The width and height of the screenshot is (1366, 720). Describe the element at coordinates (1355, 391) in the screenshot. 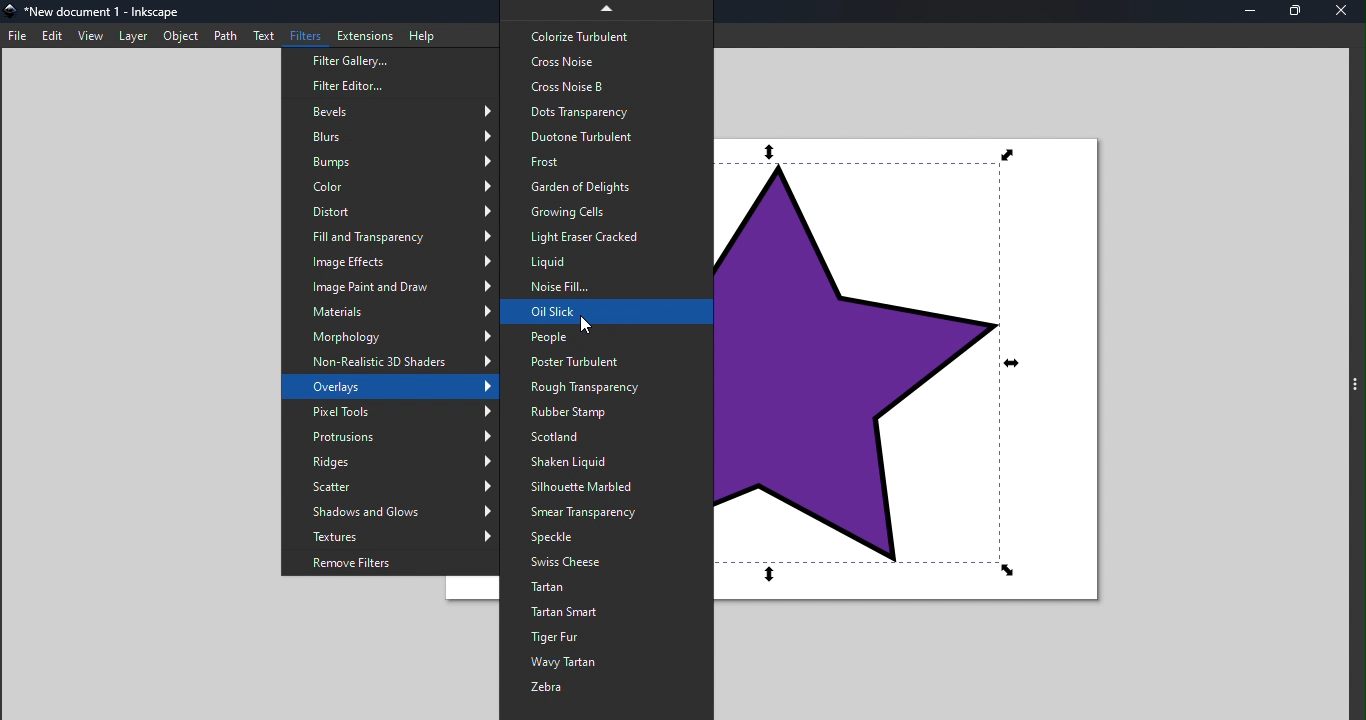

I see `Command panel` at that location.